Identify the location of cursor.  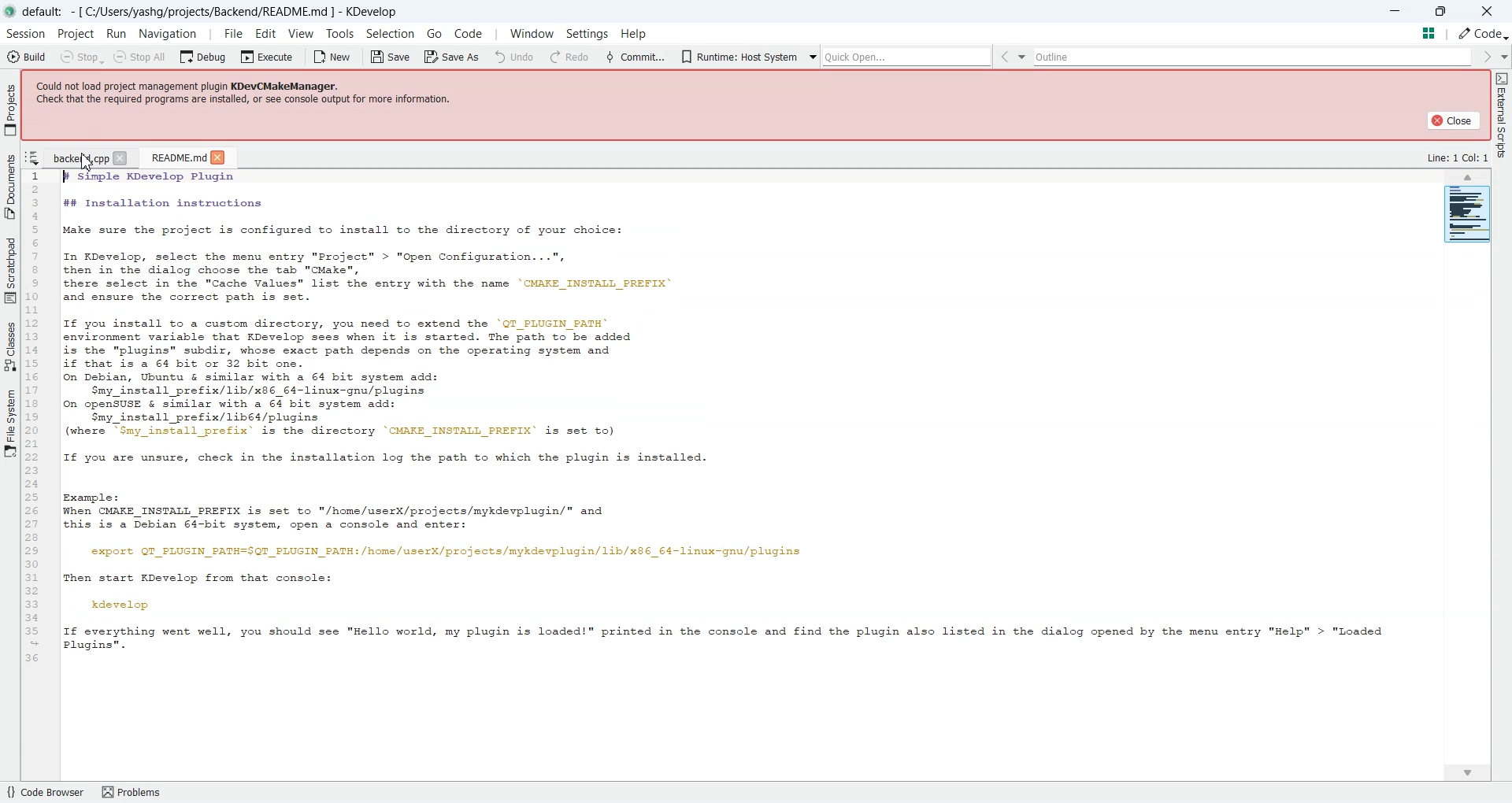
(89, 162).